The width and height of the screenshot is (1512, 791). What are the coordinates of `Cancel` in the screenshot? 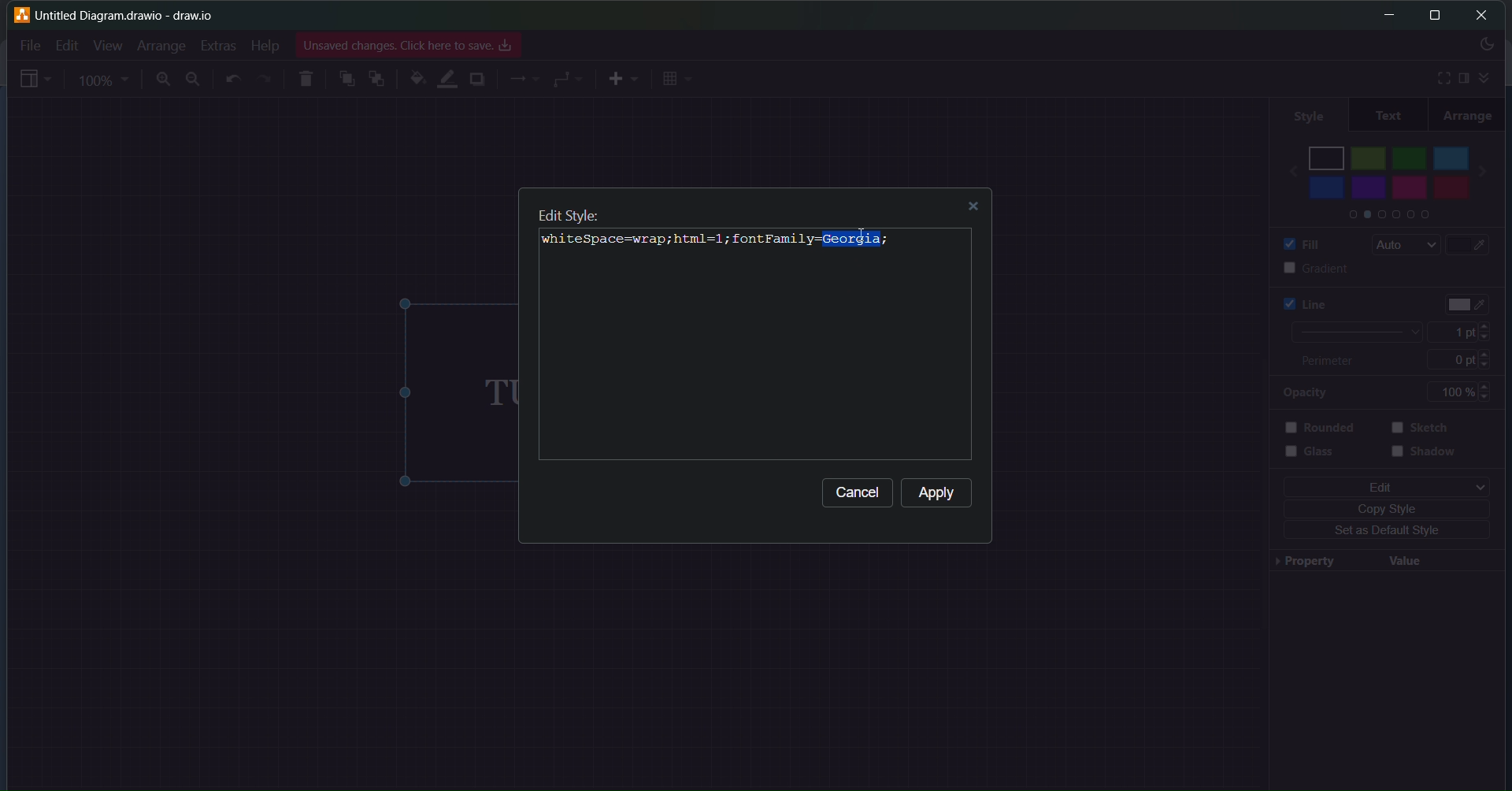 It's located at (858, 496).